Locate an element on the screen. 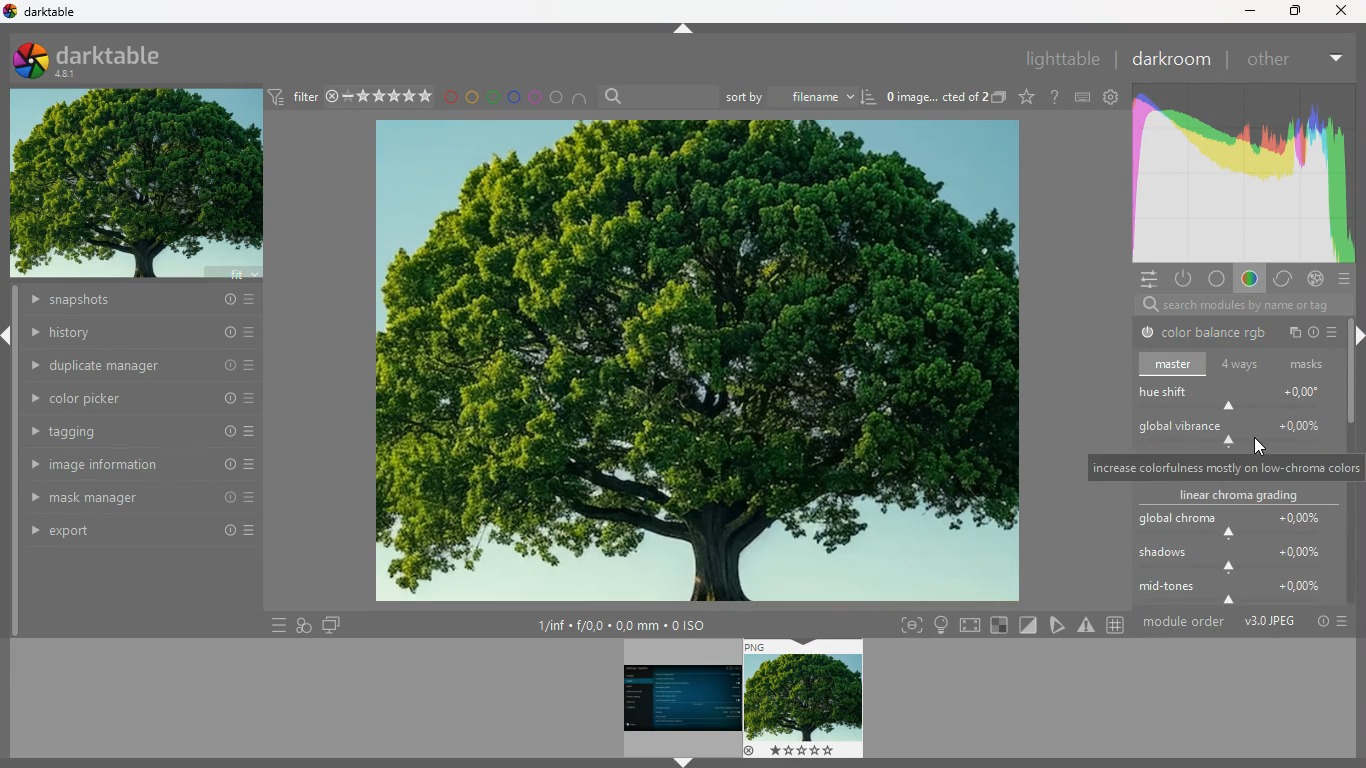 This screenshot has width=1366, height=768. color is located at coordinates (1247, 281).